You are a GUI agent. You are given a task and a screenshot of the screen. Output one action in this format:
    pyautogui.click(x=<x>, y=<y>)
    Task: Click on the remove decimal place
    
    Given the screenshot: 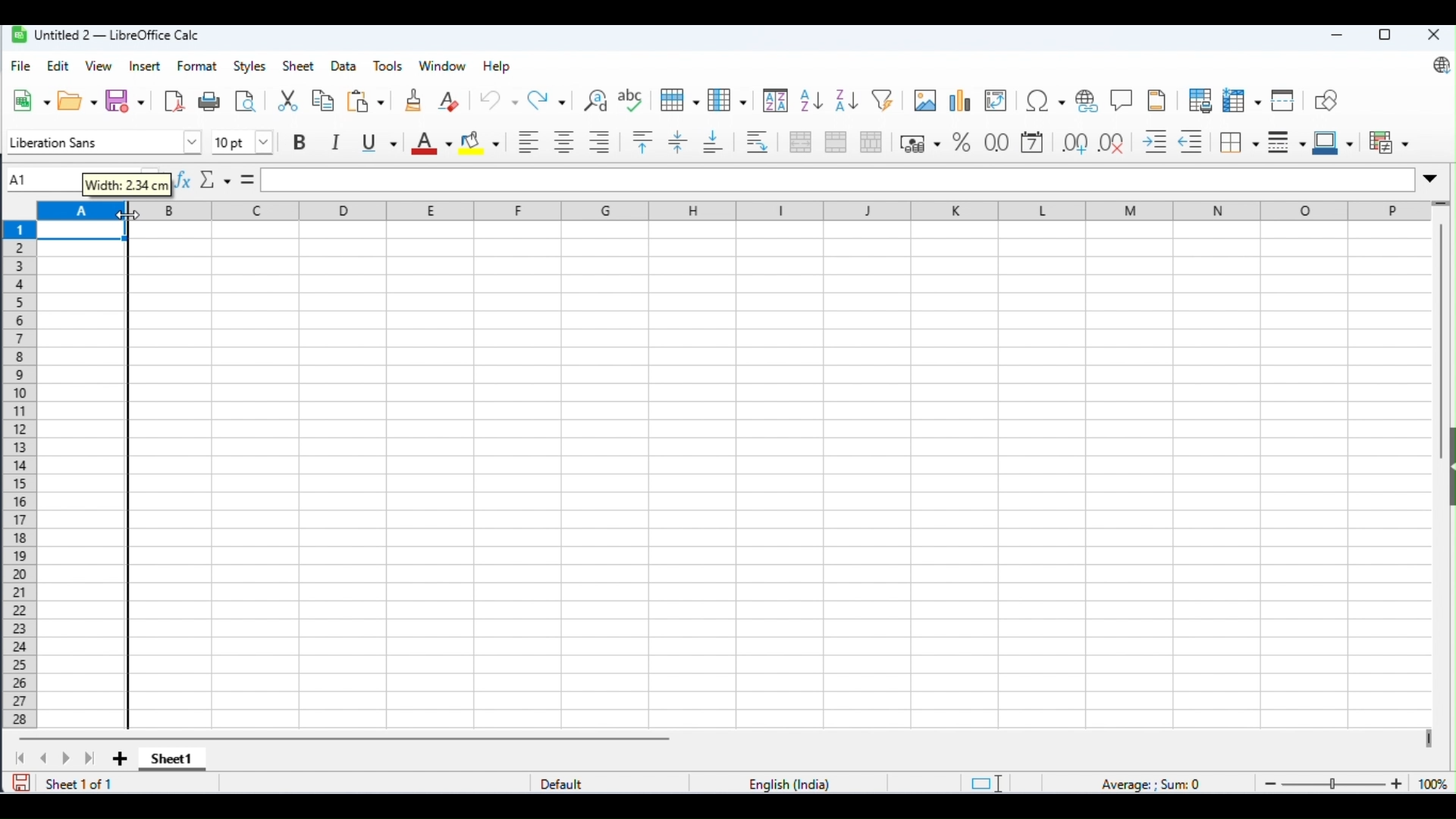 What is the action you would take?
    pyautogui.click(x=1114, y=142)
    